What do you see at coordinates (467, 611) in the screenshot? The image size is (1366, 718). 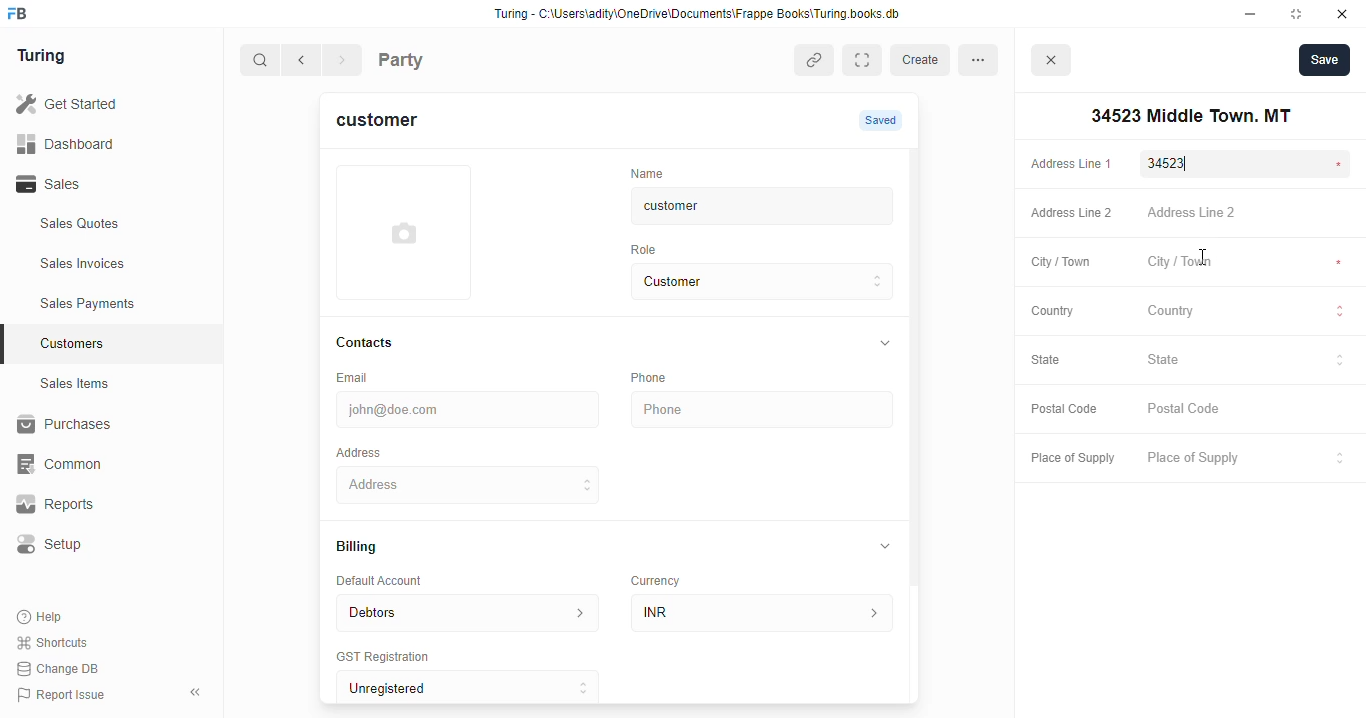 I see `Debtors` at bounding box center [467, 611].